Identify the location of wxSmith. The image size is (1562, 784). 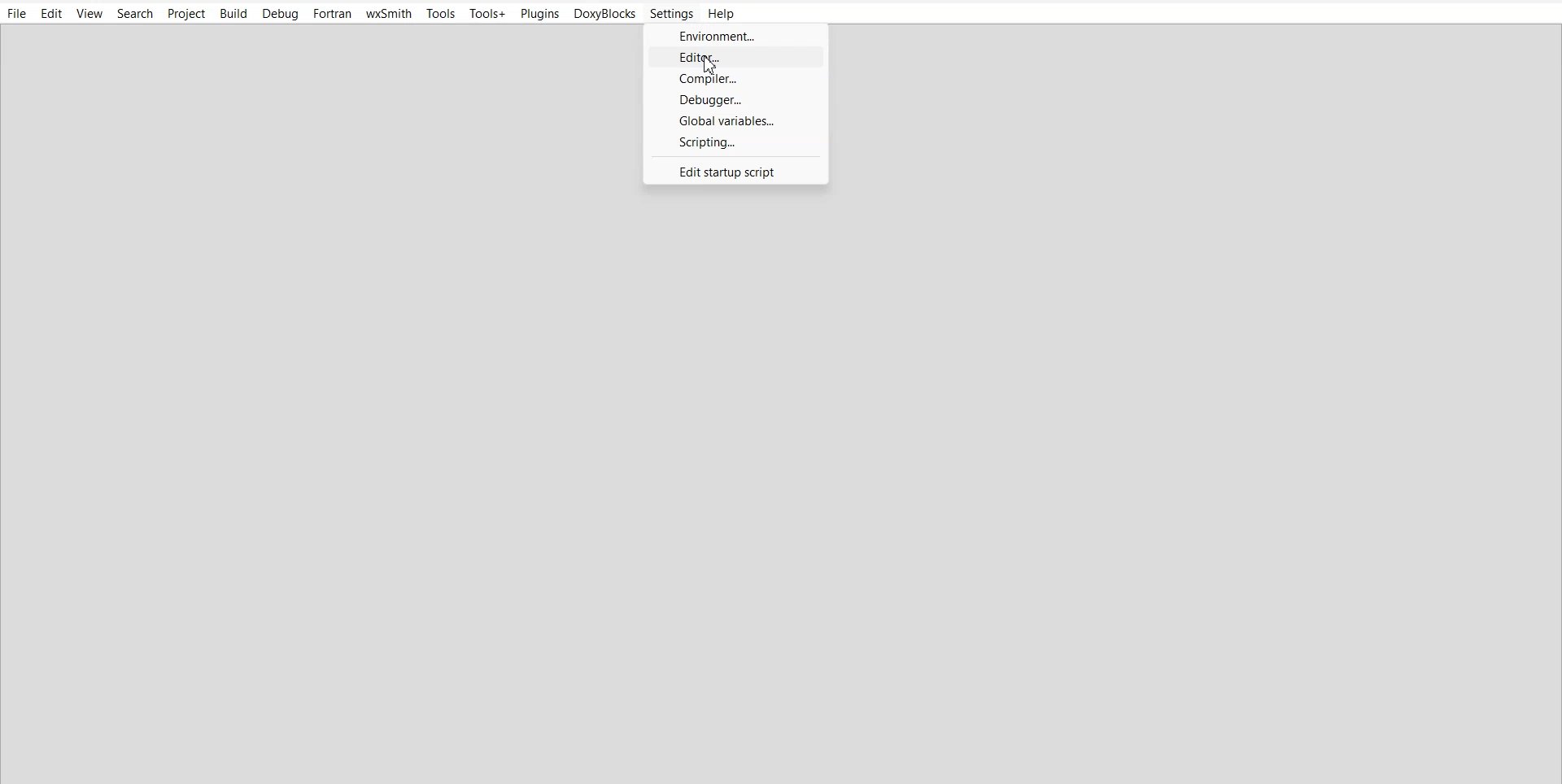
(388, 13).